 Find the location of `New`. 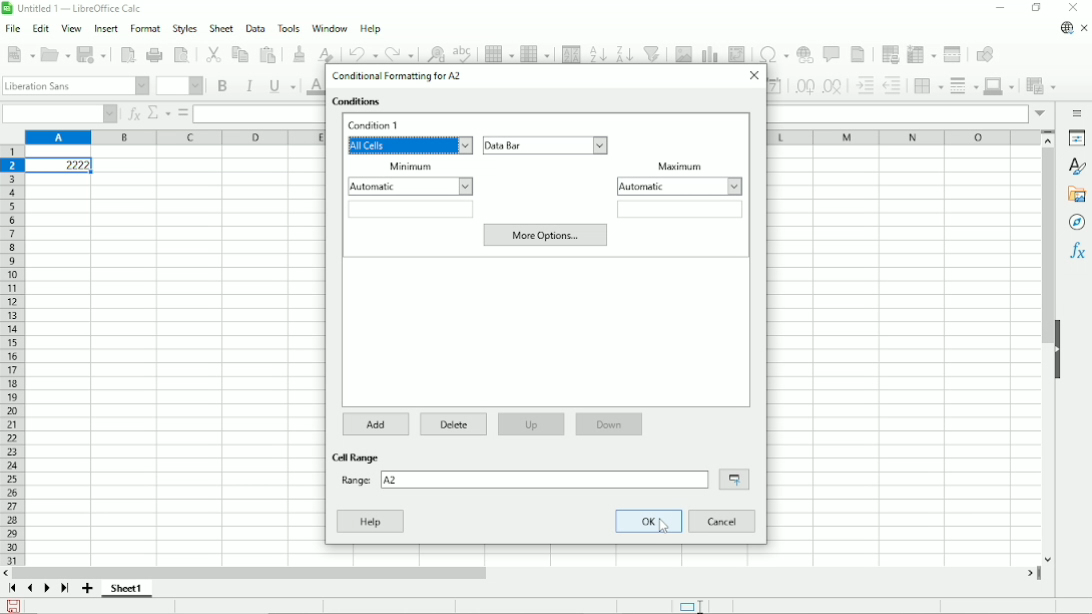

New is located at coordinates (19, 54).